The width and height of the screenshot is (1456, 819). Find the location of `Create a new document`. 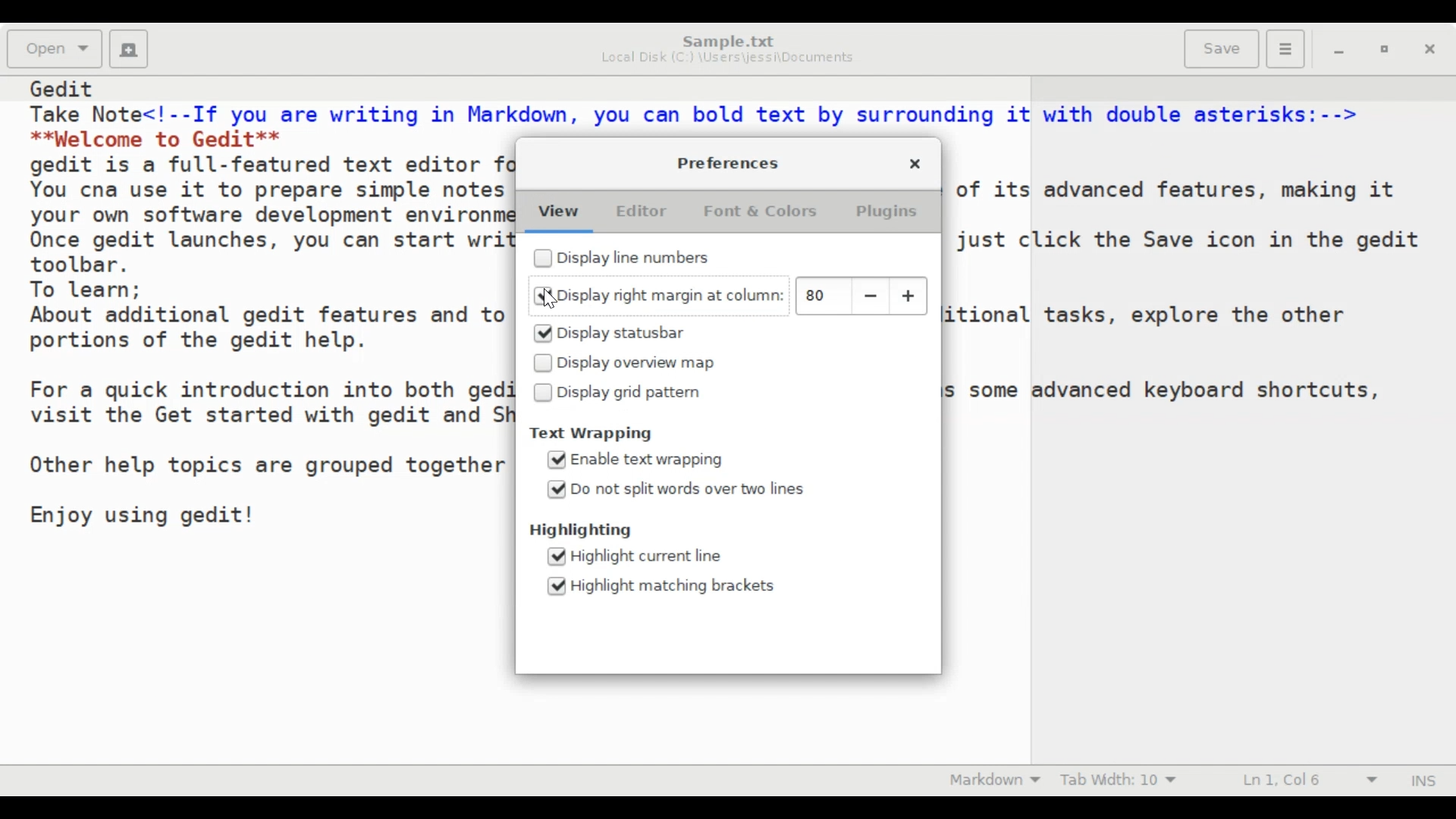

Create a new document is located at coordinates (130, 48).